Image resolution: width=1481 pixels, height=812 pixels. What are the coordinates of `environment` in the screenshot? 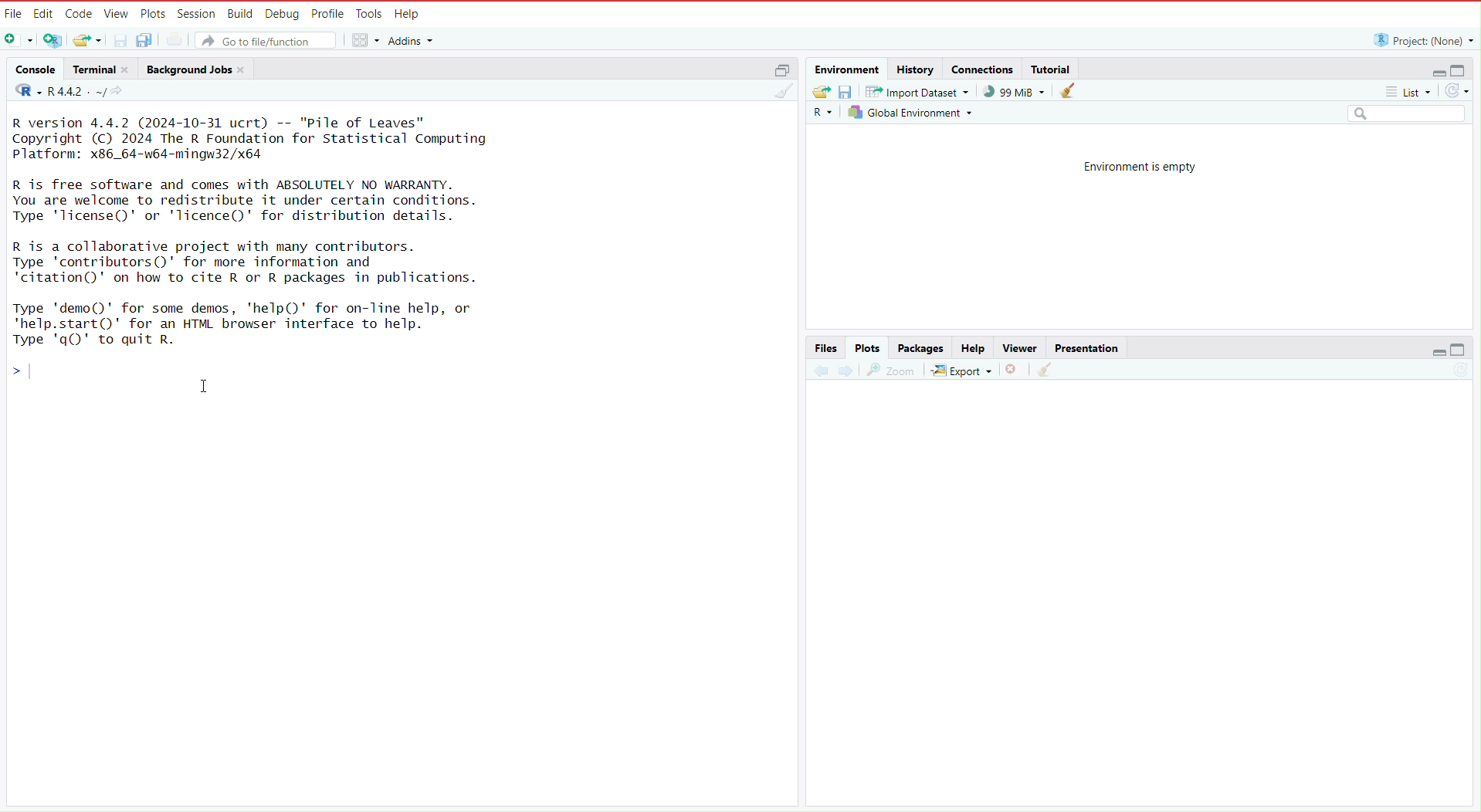 It's located at (845, 68).